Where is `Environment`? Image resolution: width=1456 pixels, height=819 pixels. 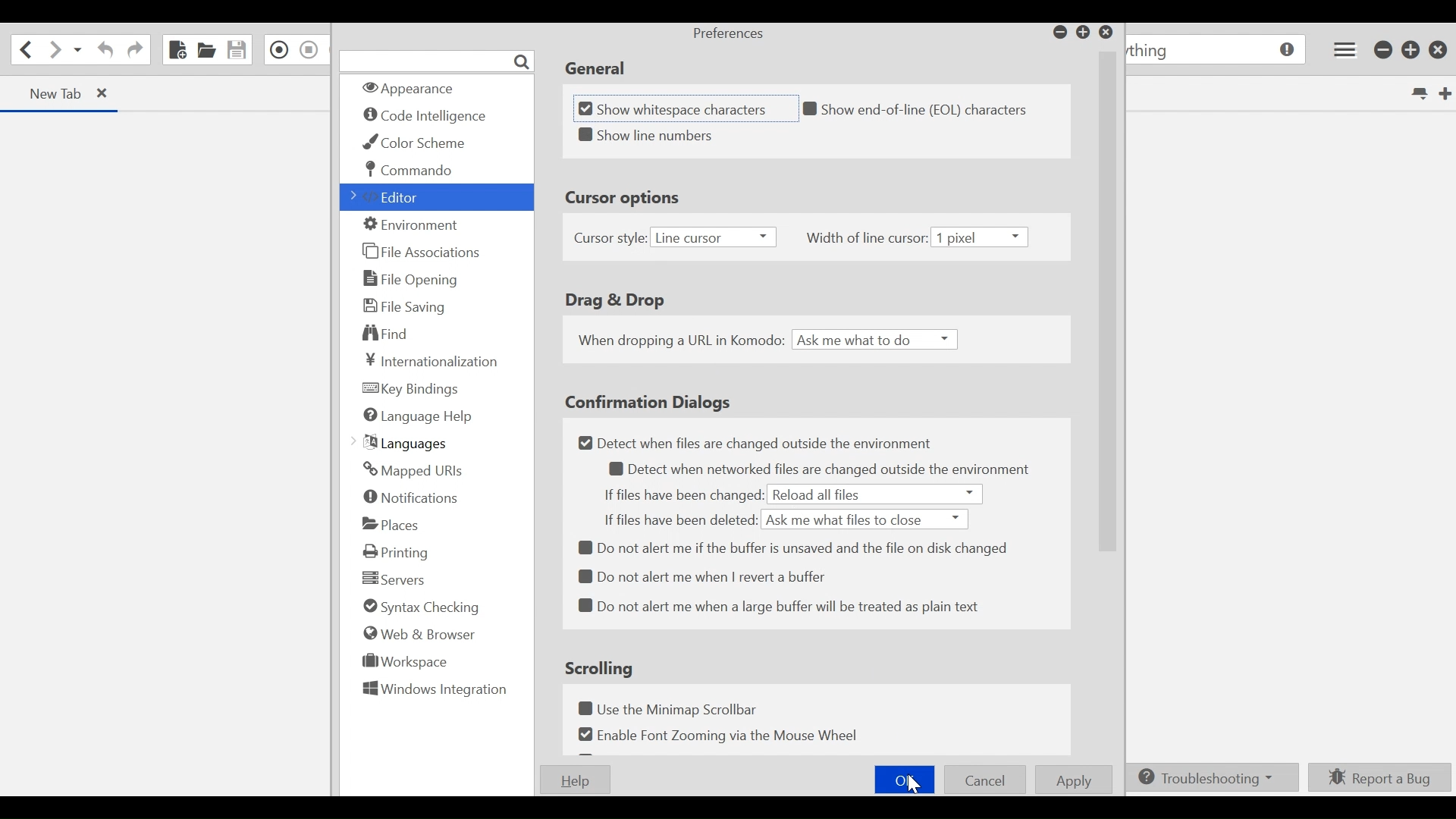 Environment is located at coordinates (408, 224).